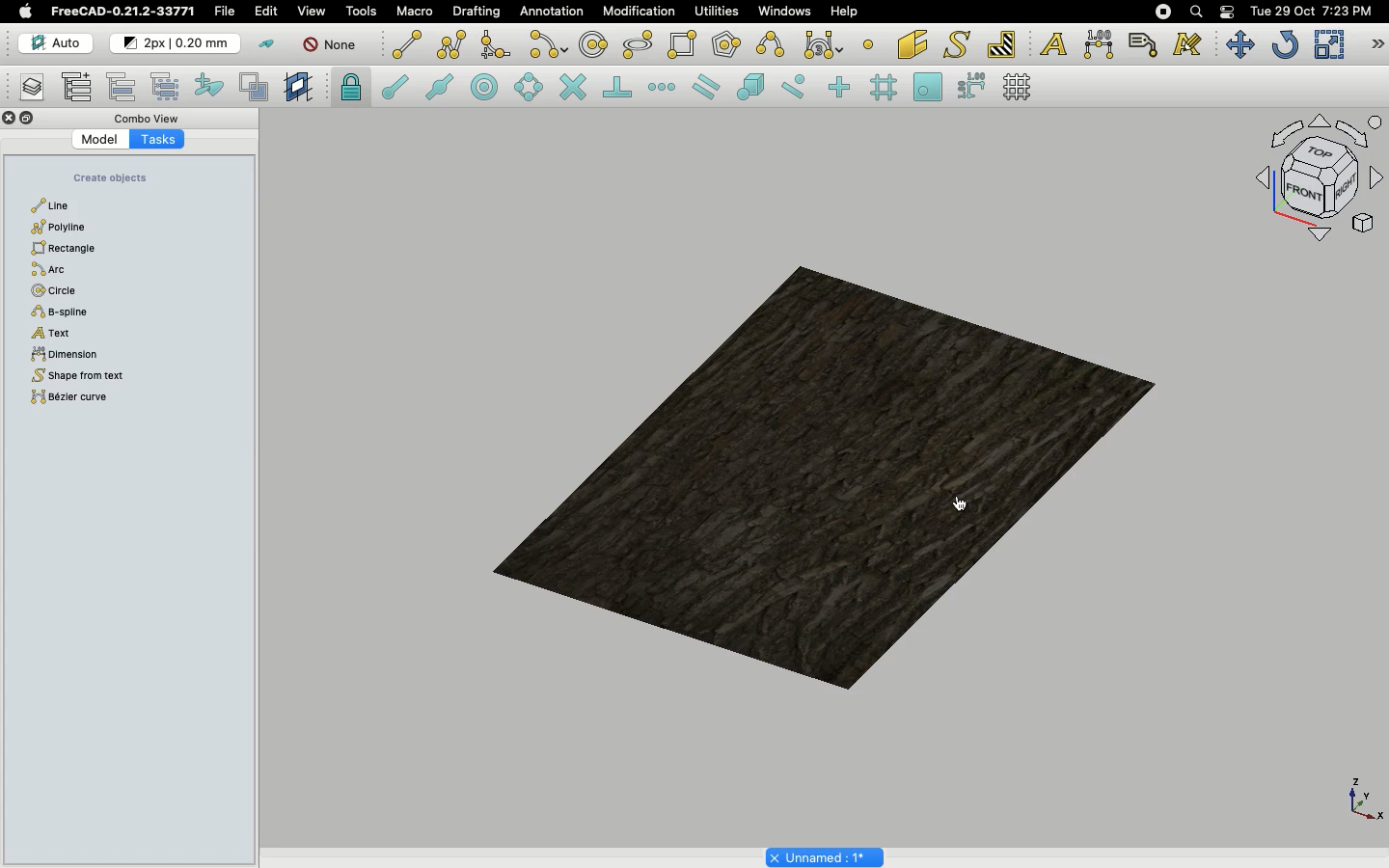 The width and height of the screenshot is (1389, 868). Describe the element at coordinates (68, 396) in the screenshot. I see `Bézier curve` at that location.